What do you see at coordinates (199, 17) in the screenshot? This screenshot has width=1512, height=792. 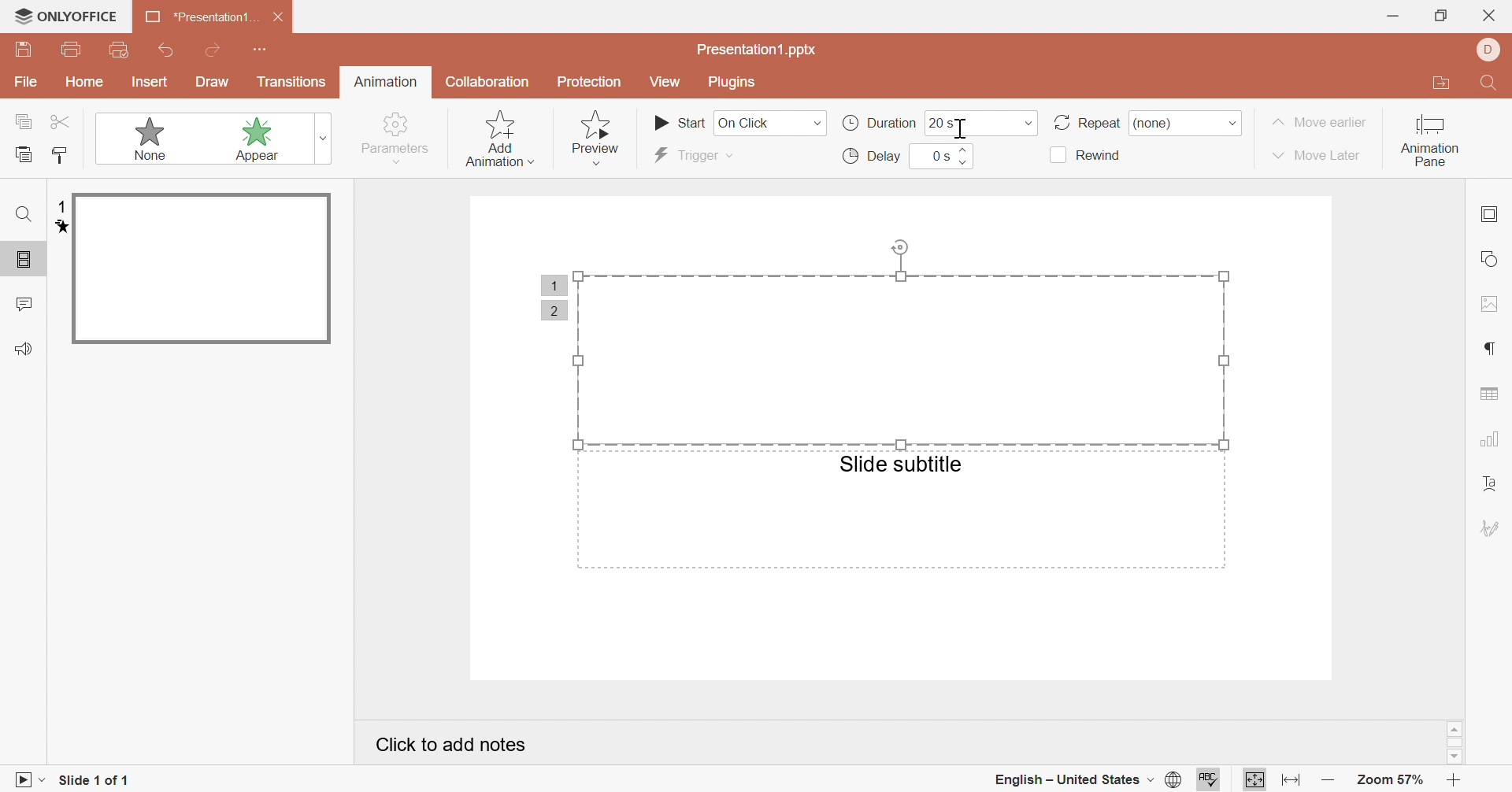 I see `*presentation1...` at bounding box center [199, 17].